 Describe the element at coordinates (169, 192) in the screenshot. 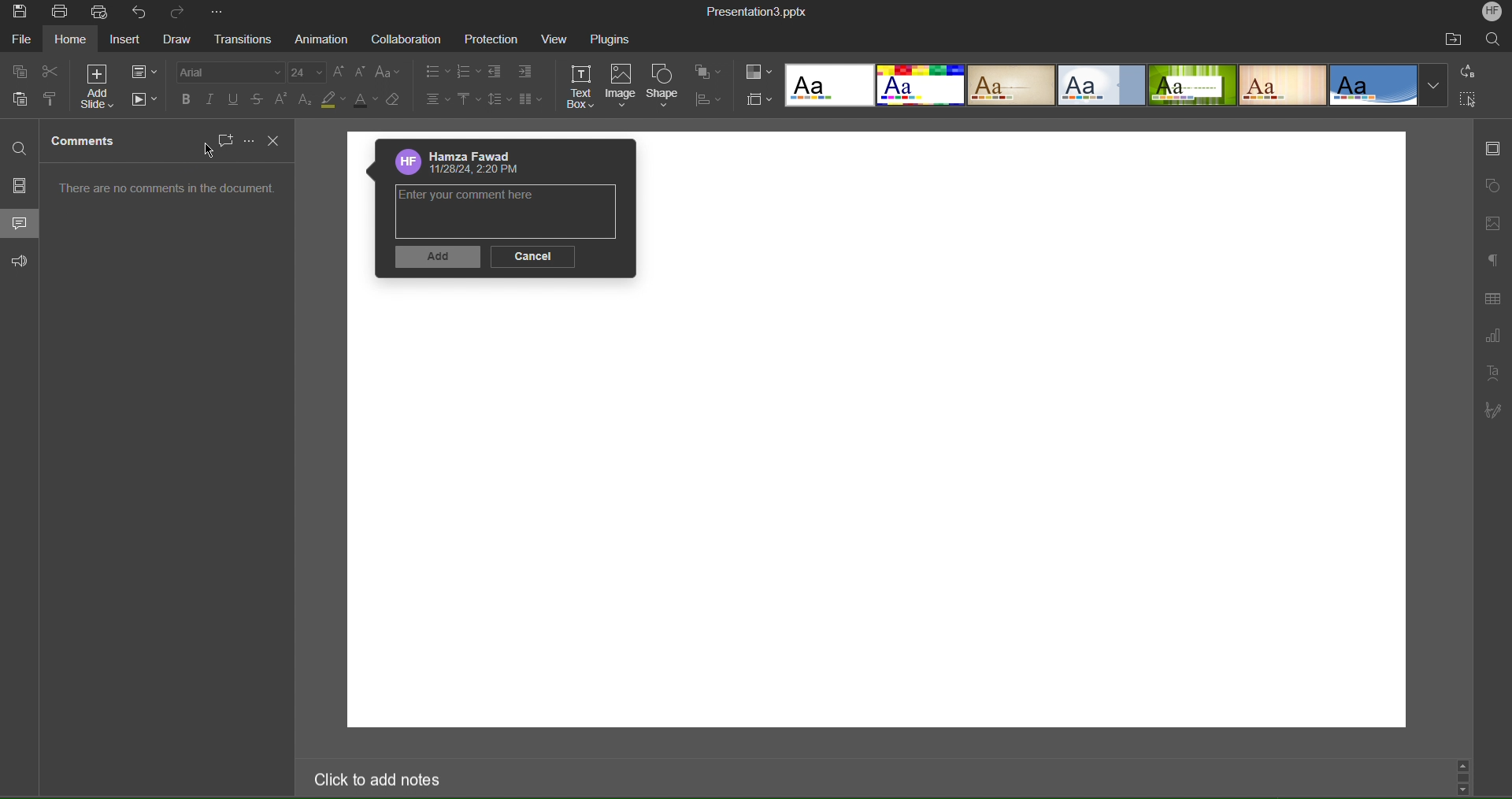

I see `There are no comments in the document` at that location.